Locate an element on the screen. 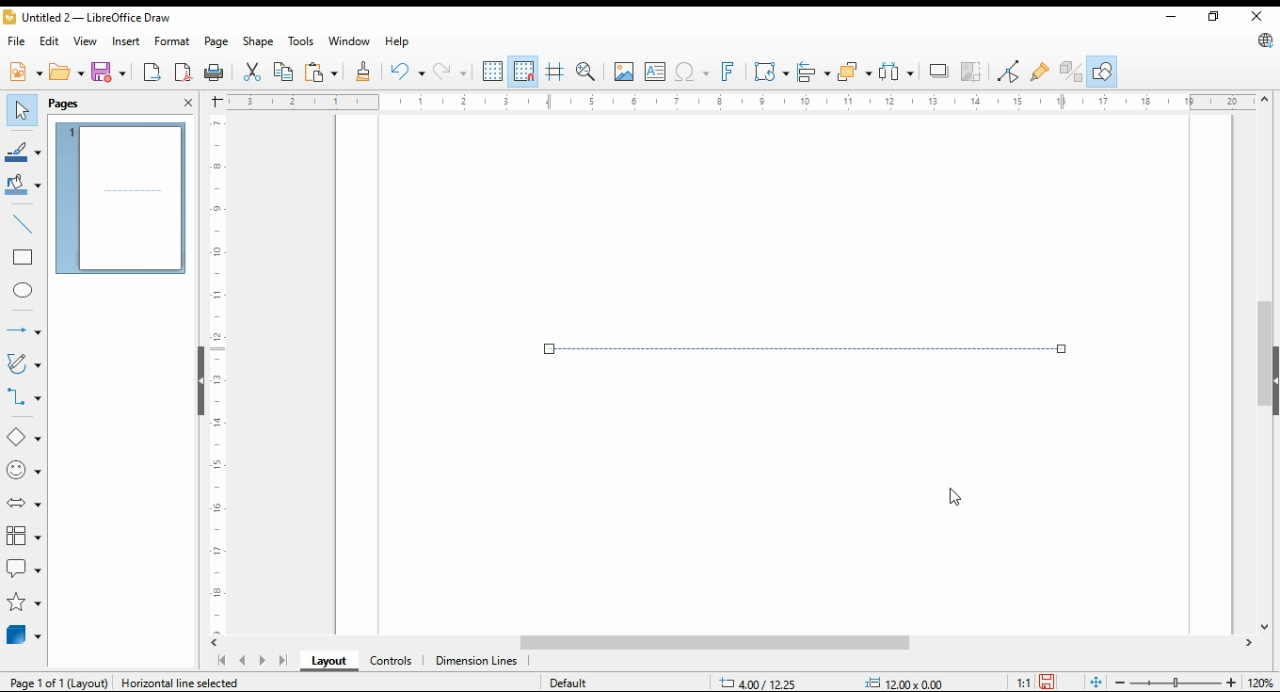 The width and height of the screenshot is (1280, 692). zoom slider is located at coordinates (1173, 682).